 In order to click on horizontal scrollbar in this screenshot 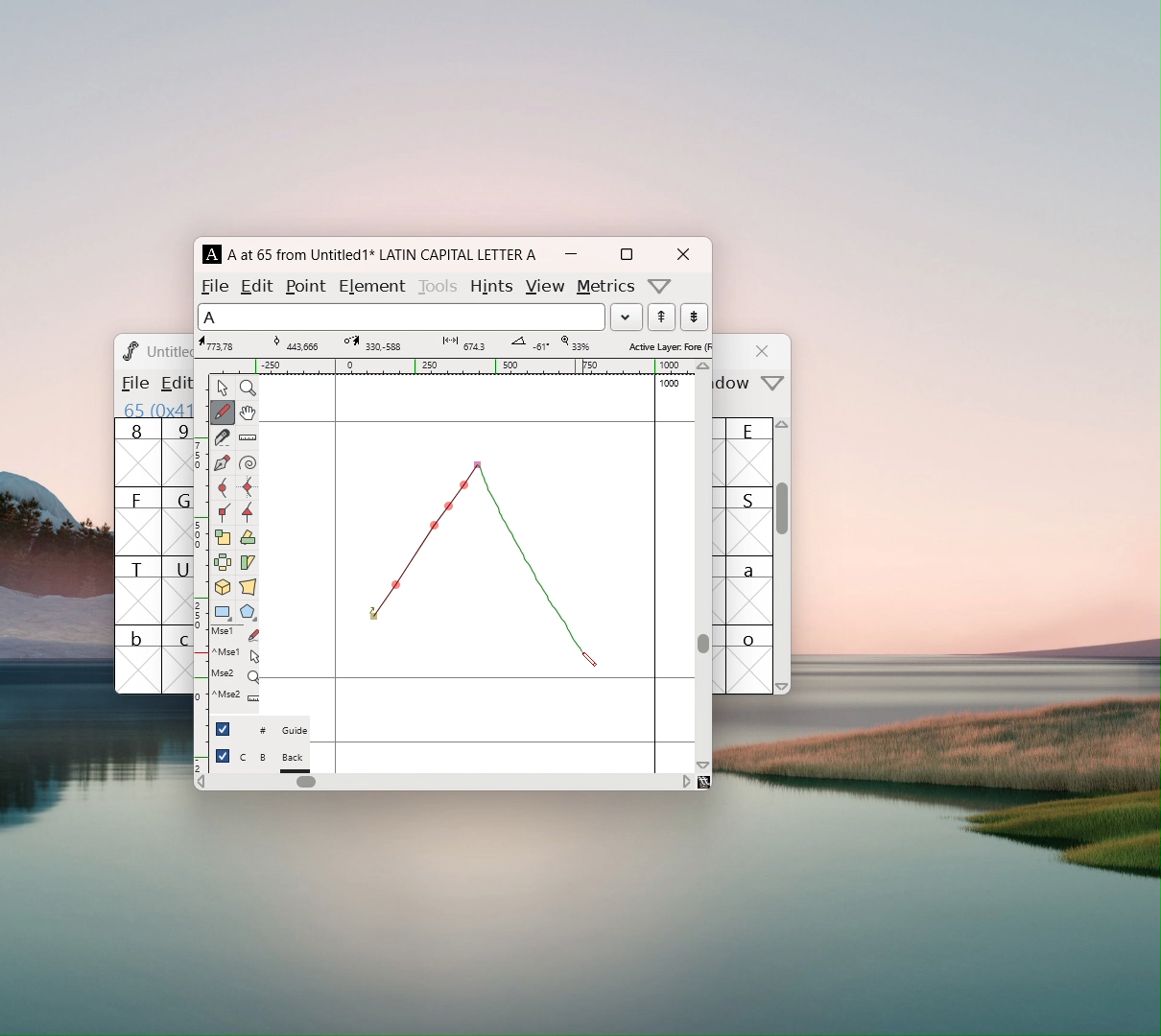, I will do `click(306, 782)`.